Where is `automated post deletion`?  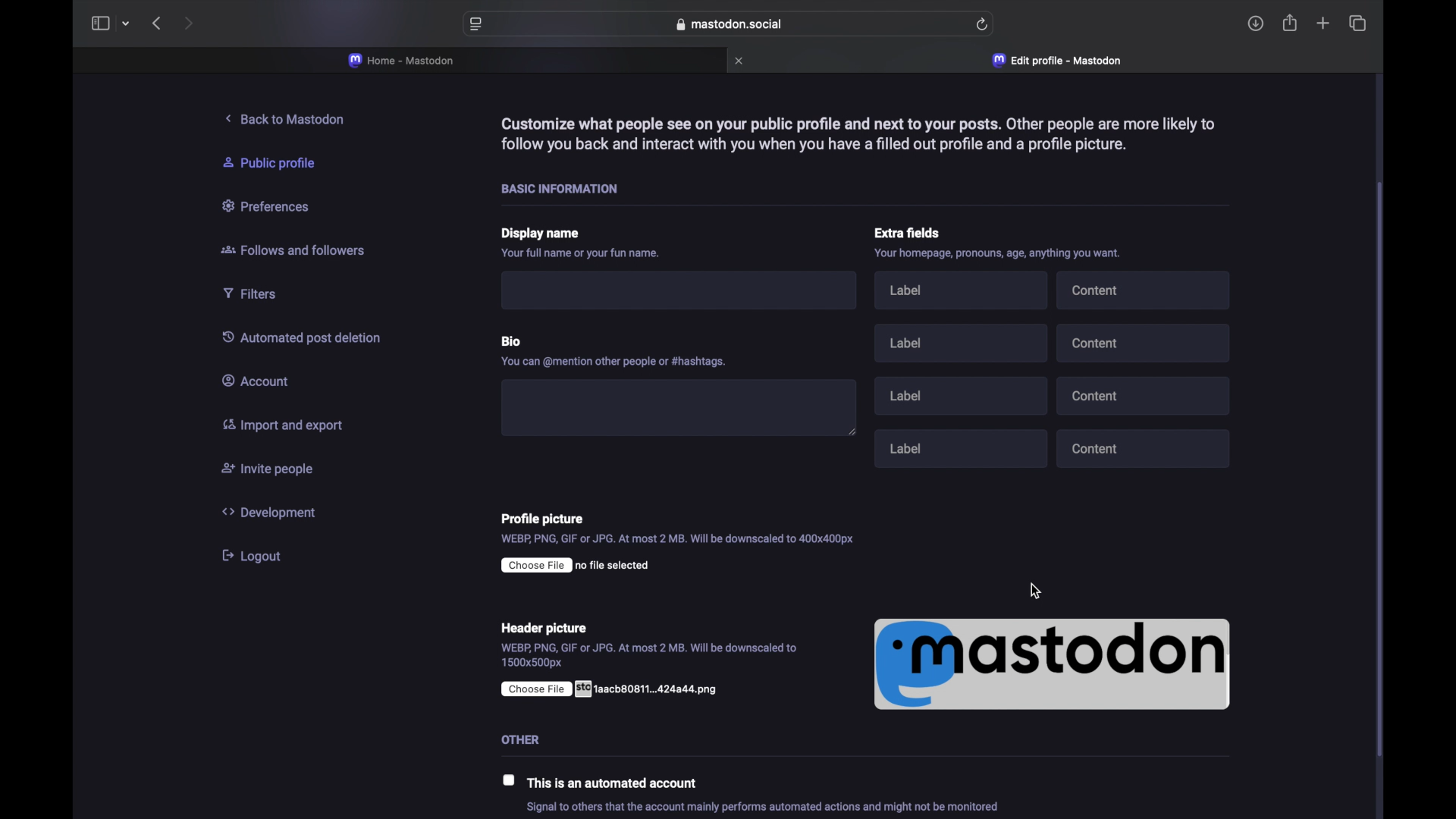
automated post deletion is located at coordinates (308, 338).